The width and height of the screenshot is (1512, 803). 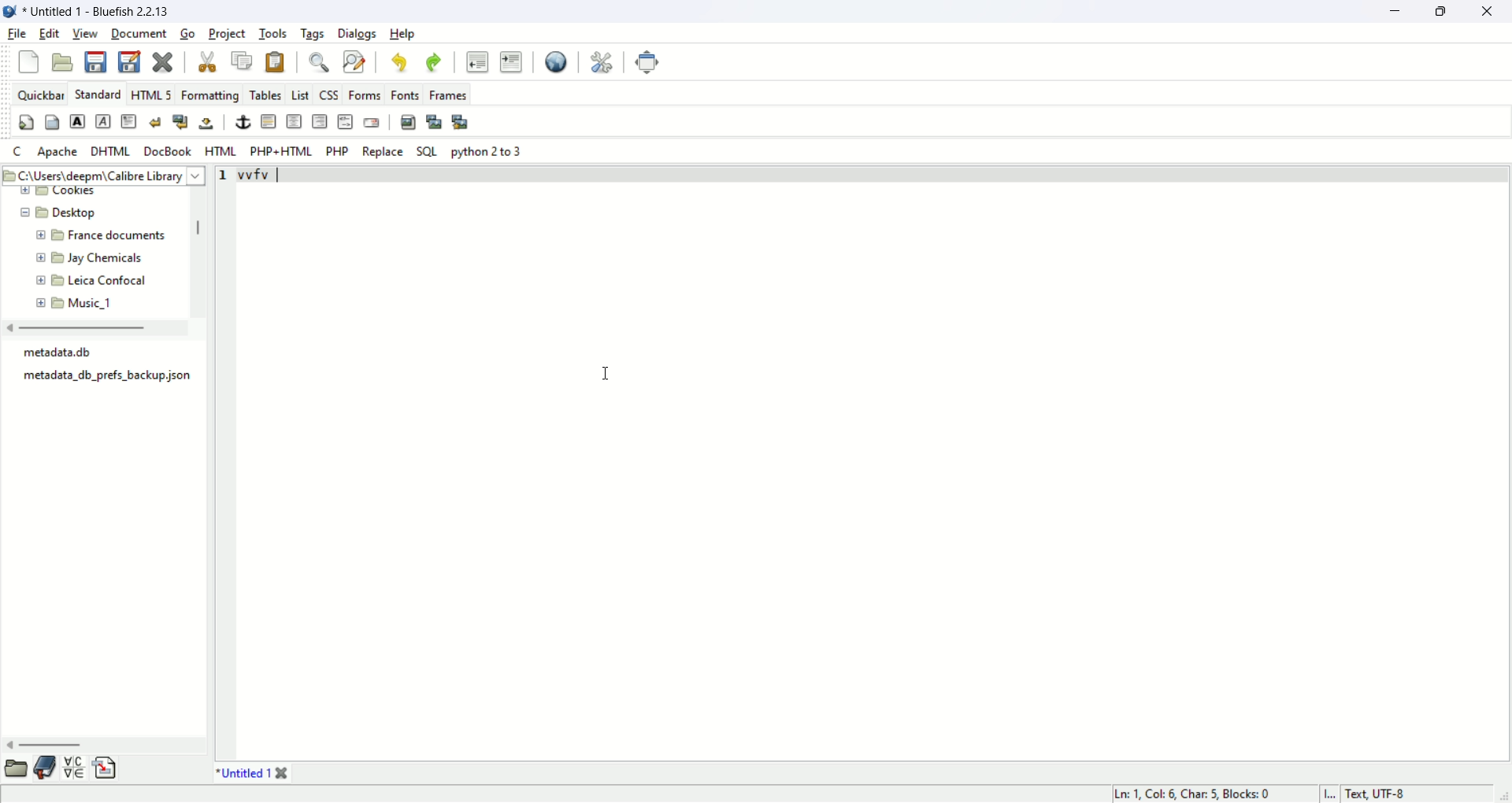 I want to click on preferences, so click(x=607, y=61).